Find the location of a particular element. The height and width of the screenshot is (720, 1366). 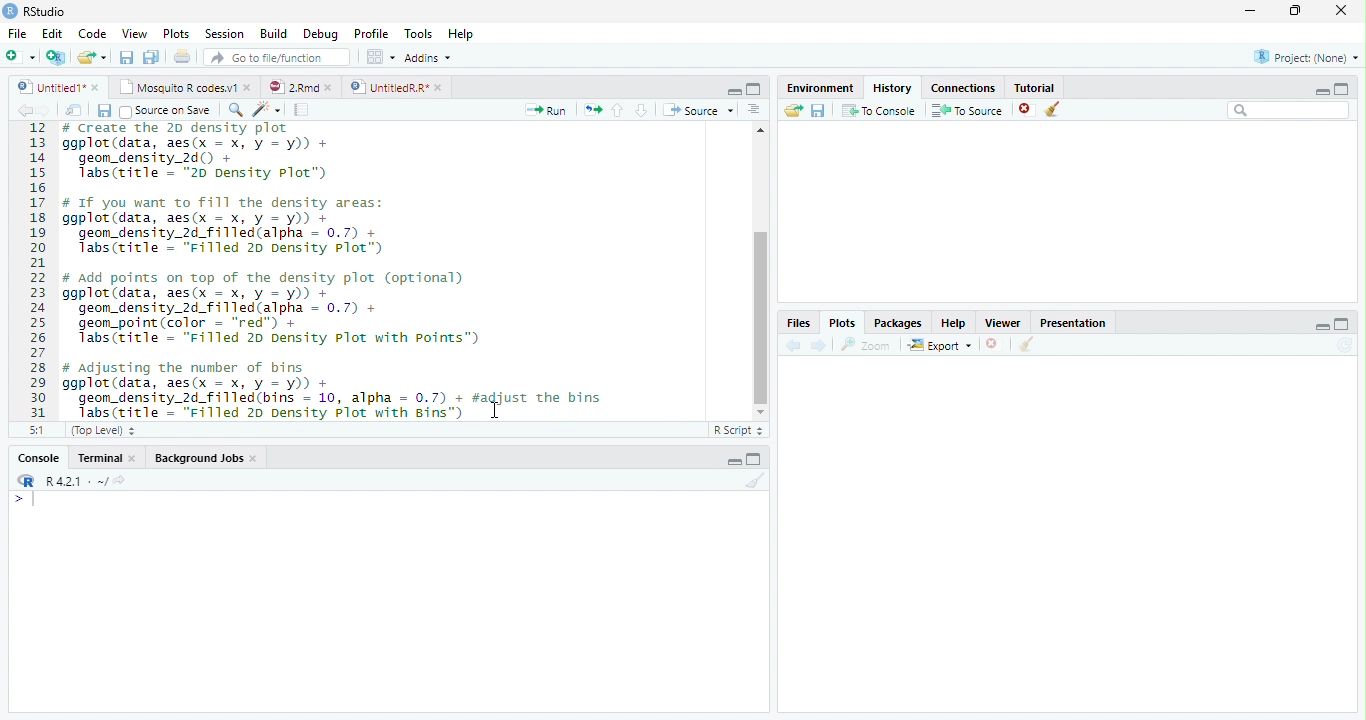

cursor is located at coordinates (497, 410).